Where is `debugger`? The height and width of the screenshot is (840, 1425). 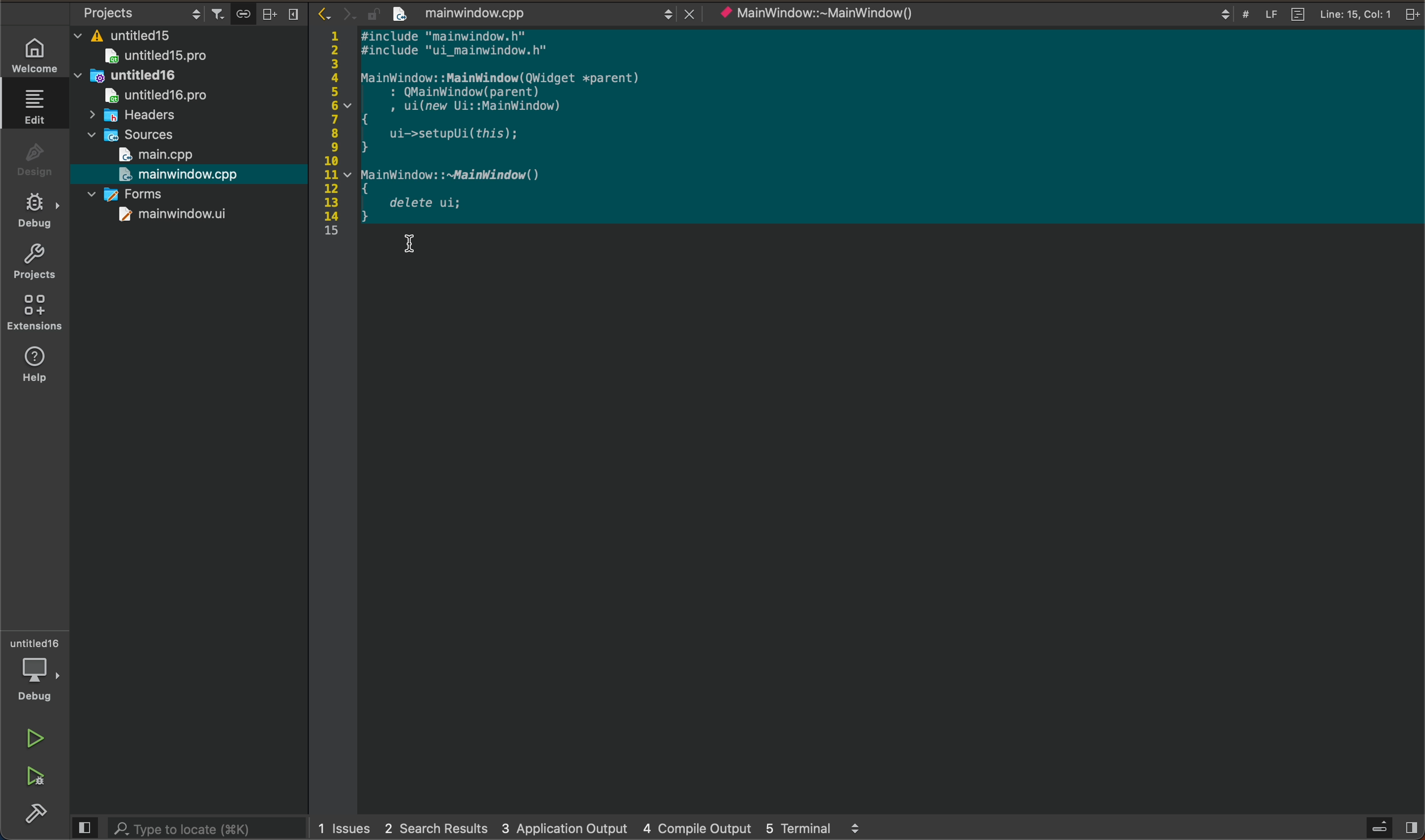
debugger is located at coordinates (37, 670).